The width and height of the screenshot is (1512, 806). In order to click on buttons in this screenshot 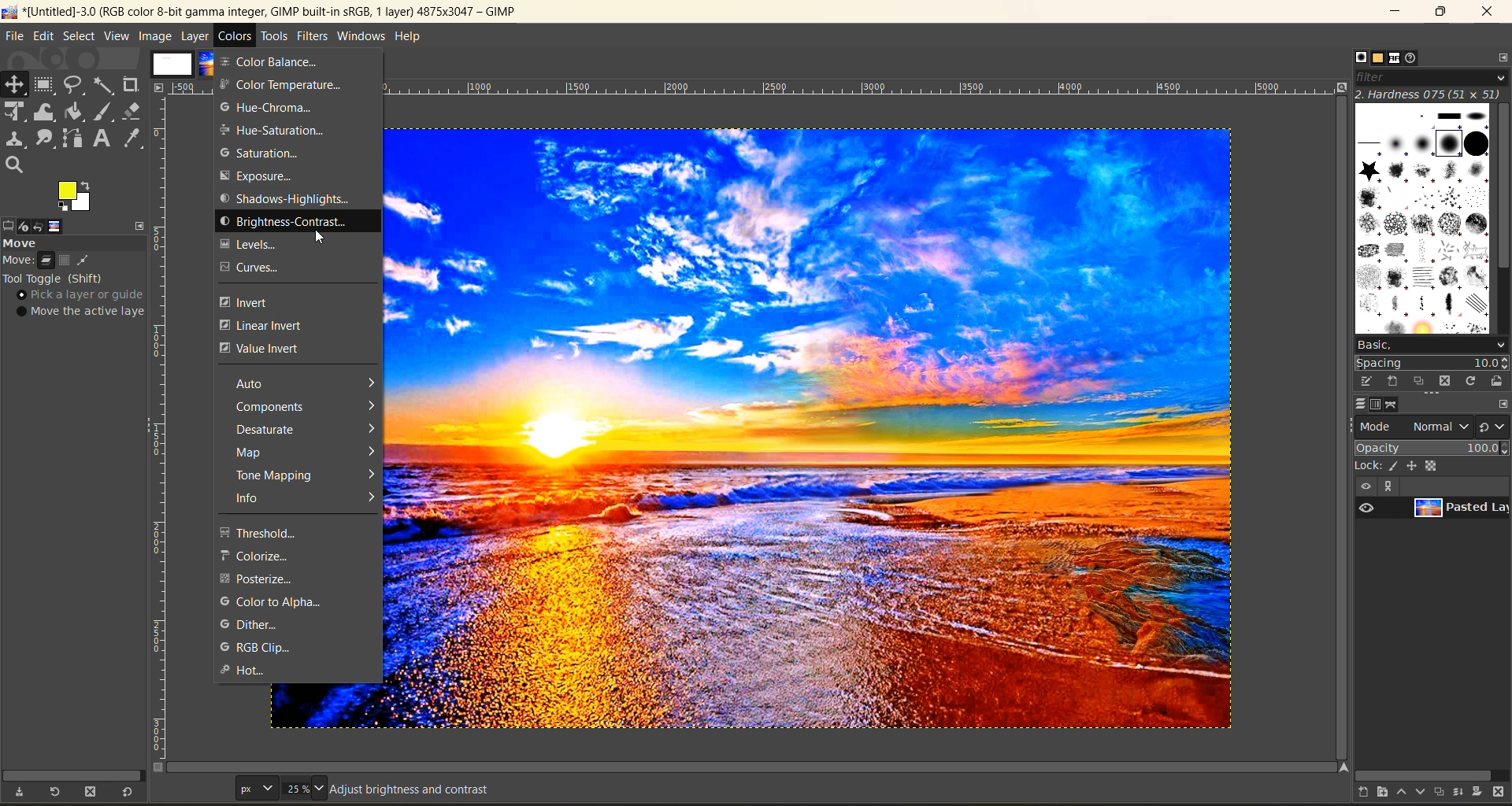, I will do `click(1376, 486)`.